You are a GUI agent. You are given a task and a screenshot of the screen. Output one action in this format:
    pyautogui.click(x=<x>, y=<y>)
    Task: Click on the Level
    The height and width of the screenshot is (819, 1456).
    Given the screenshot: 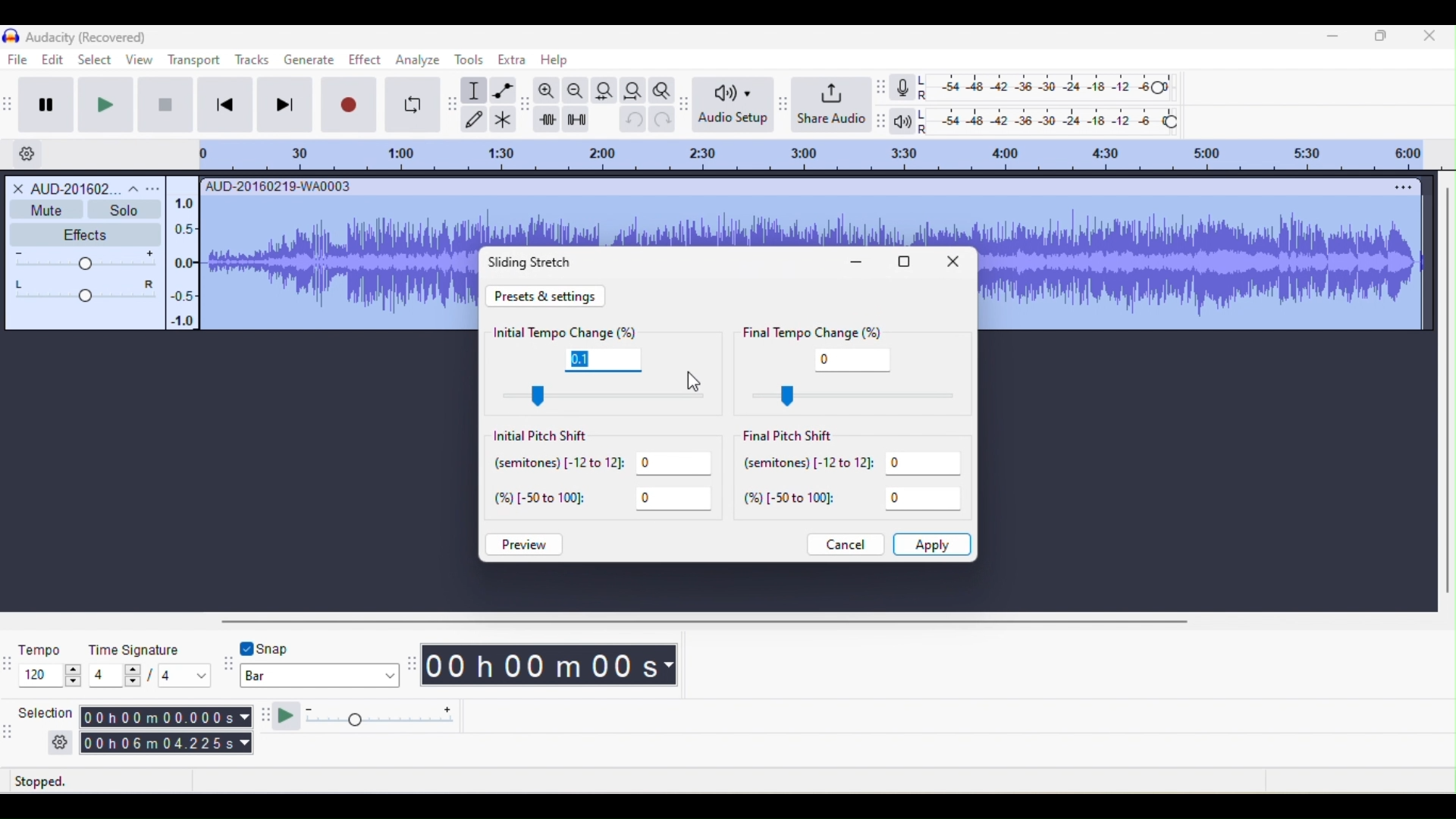 What is the action you would take?
    pyautogui.click(x=86, y=277)
    